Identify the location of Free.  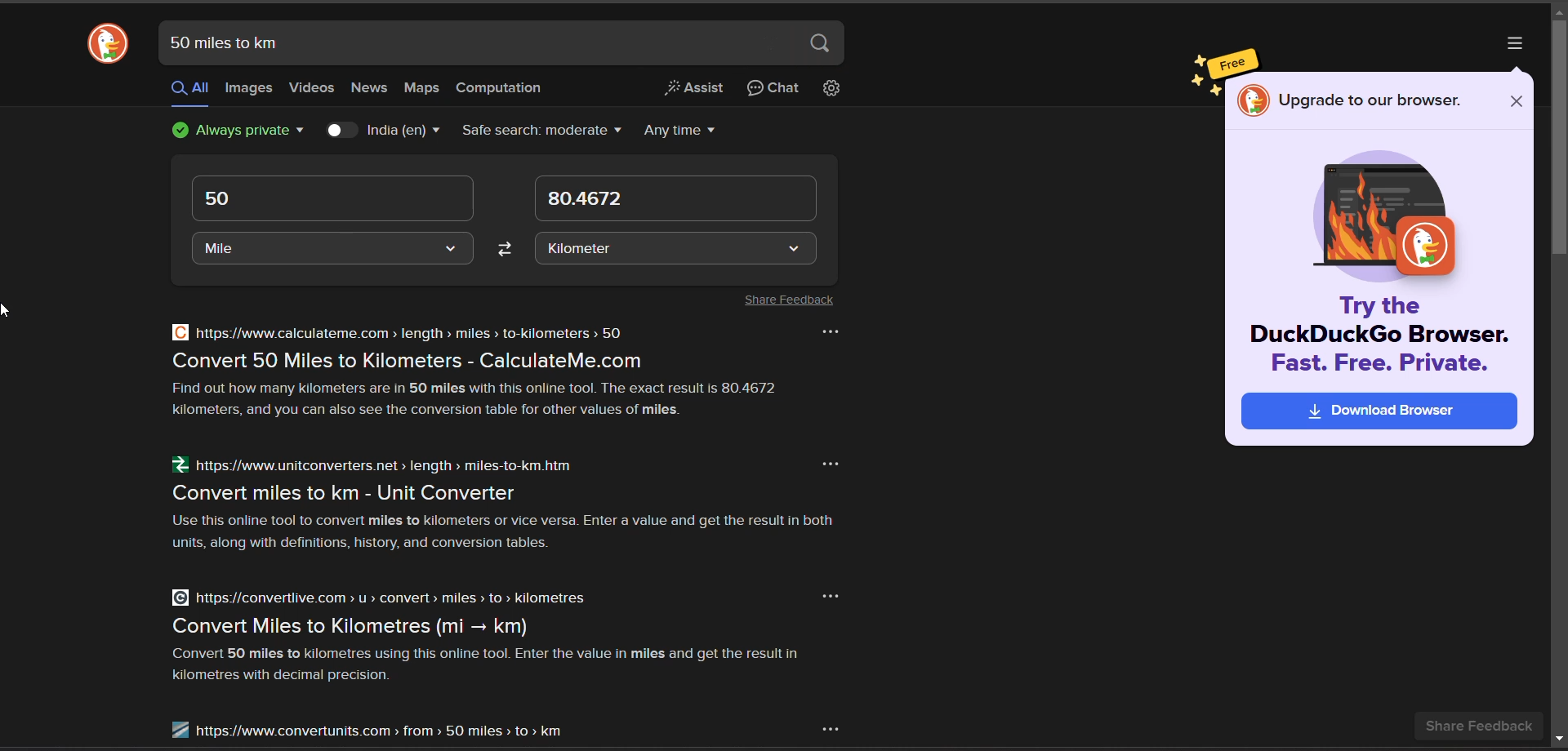
(1232, 61).